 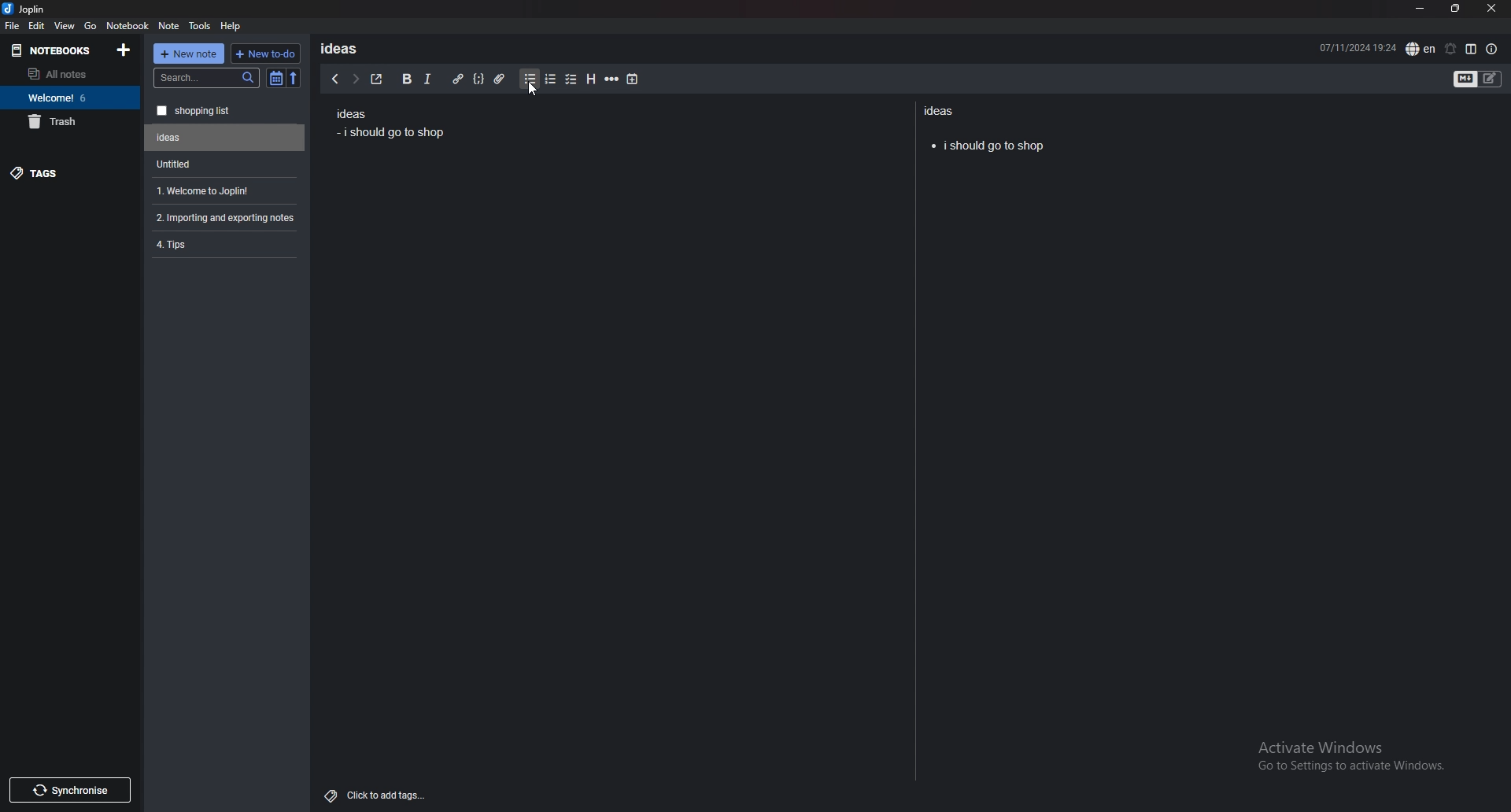 What do you see at coordinates (379, 792) in the screenshot?
I see `Click to add tags` at bounding box center [379, 792].